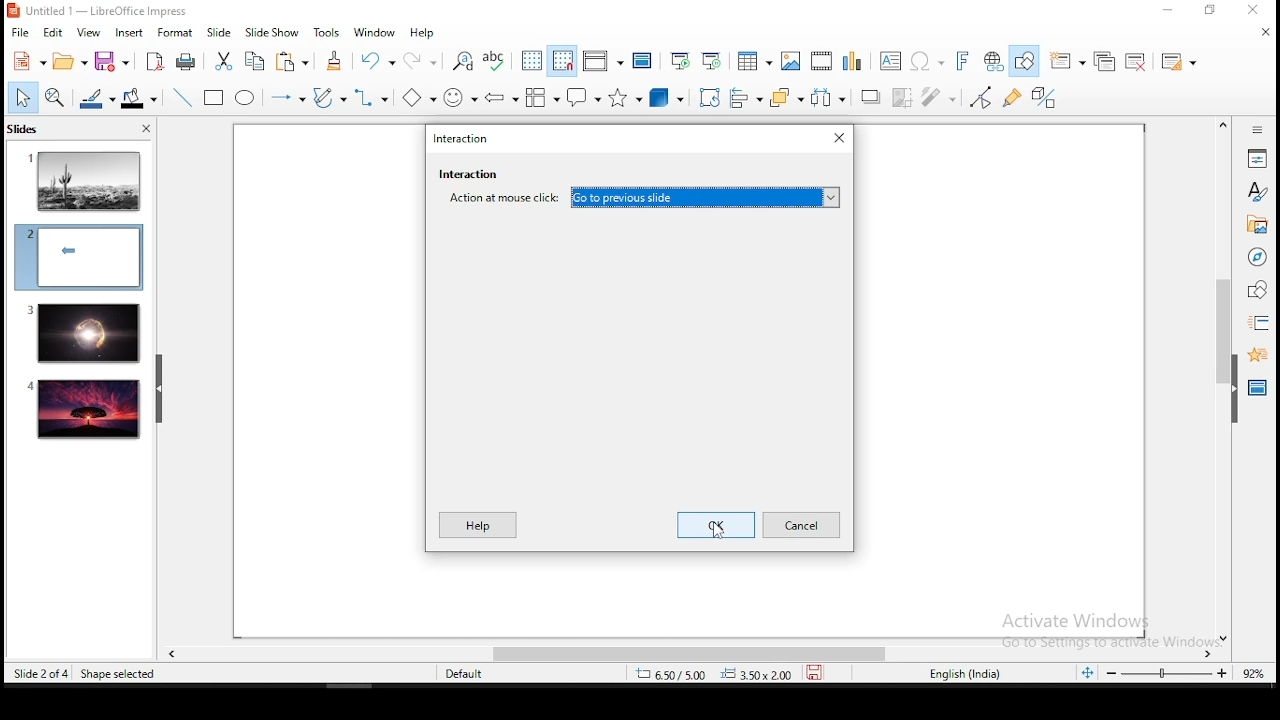 Image resolution: width=1280 pixels, height=720 pixels. I want to click on ellipse, so click(244, 98).